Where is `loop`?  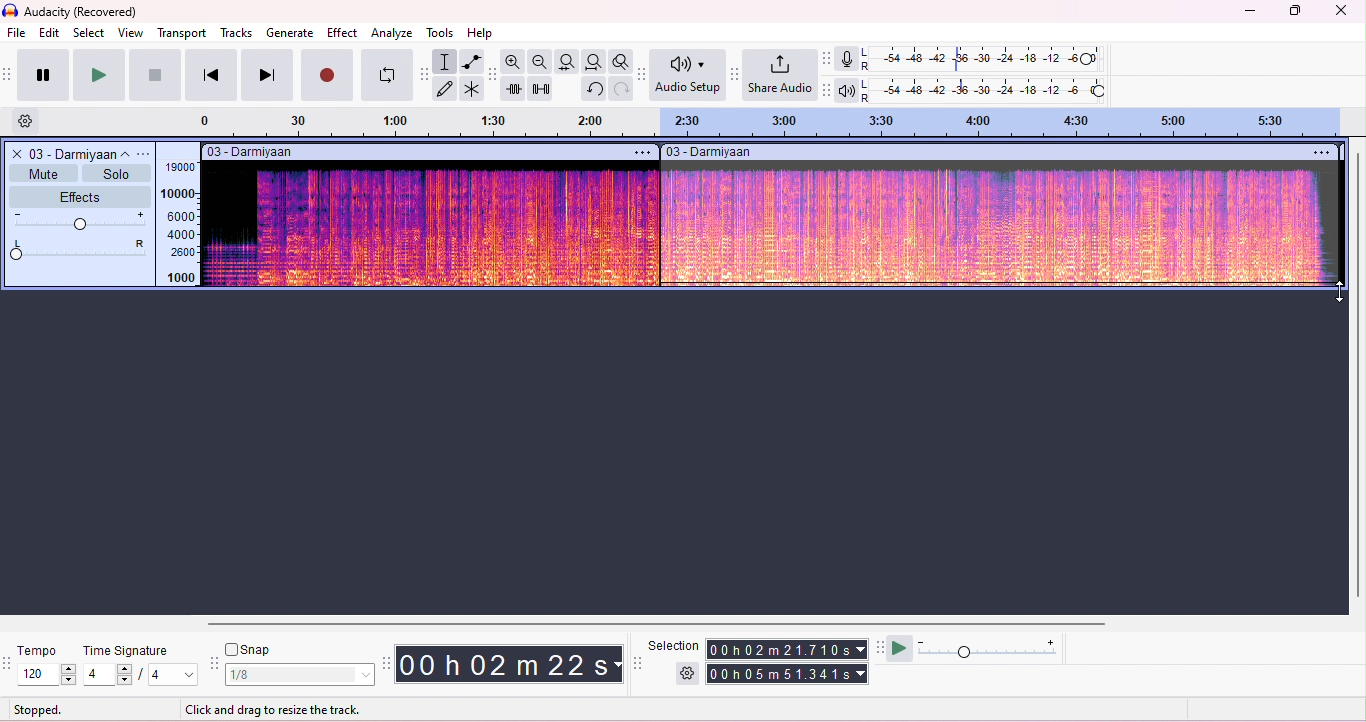 loop is located at coordinates (387, 76).